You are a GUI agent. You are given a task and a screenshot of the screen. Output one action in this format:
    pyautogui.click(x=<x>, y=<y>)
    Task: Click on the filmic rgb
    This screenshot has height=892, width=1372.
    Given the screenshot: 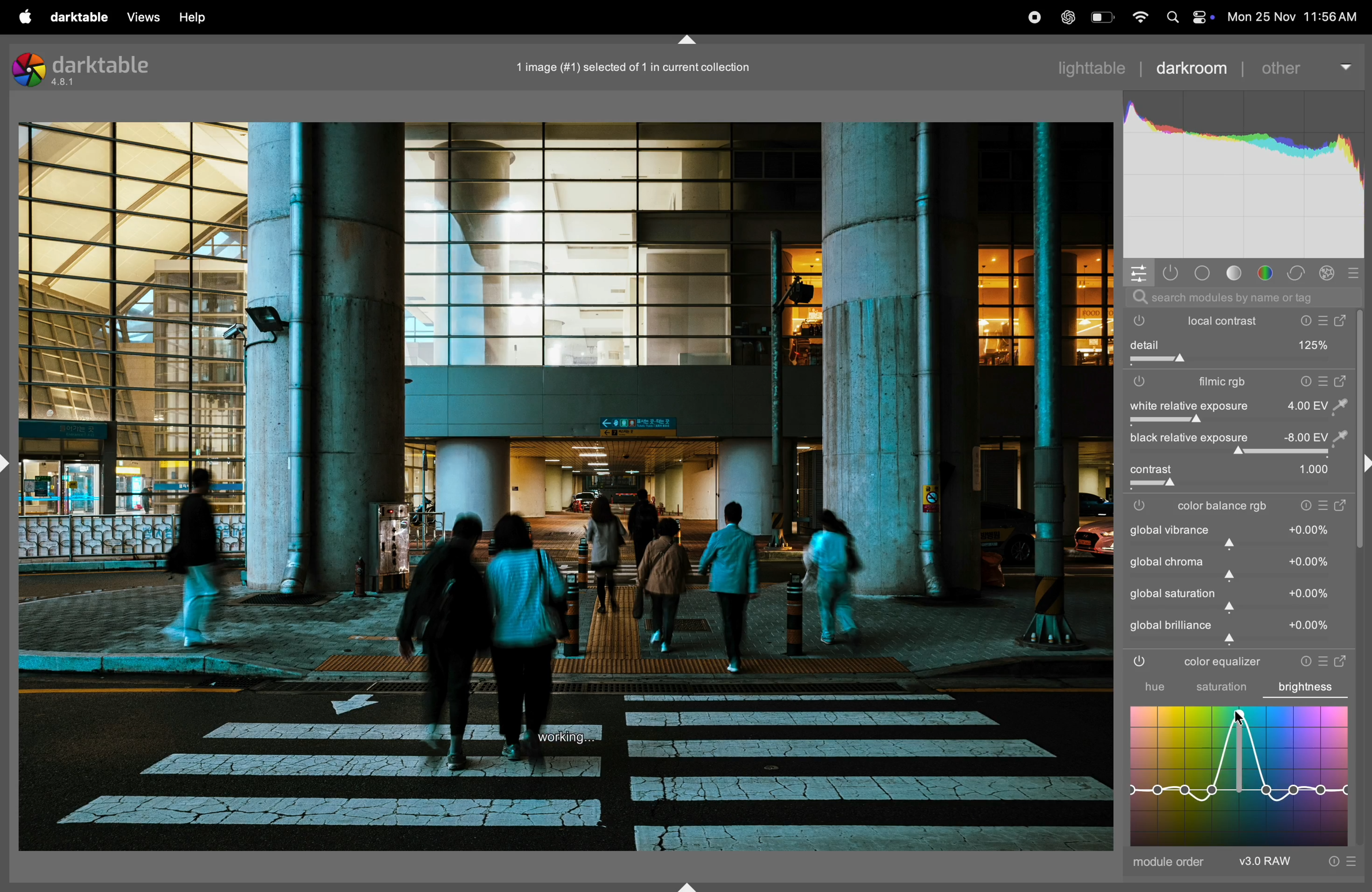 What is the action you would take?
    pyautogui.click(x=1213, y=383)
    